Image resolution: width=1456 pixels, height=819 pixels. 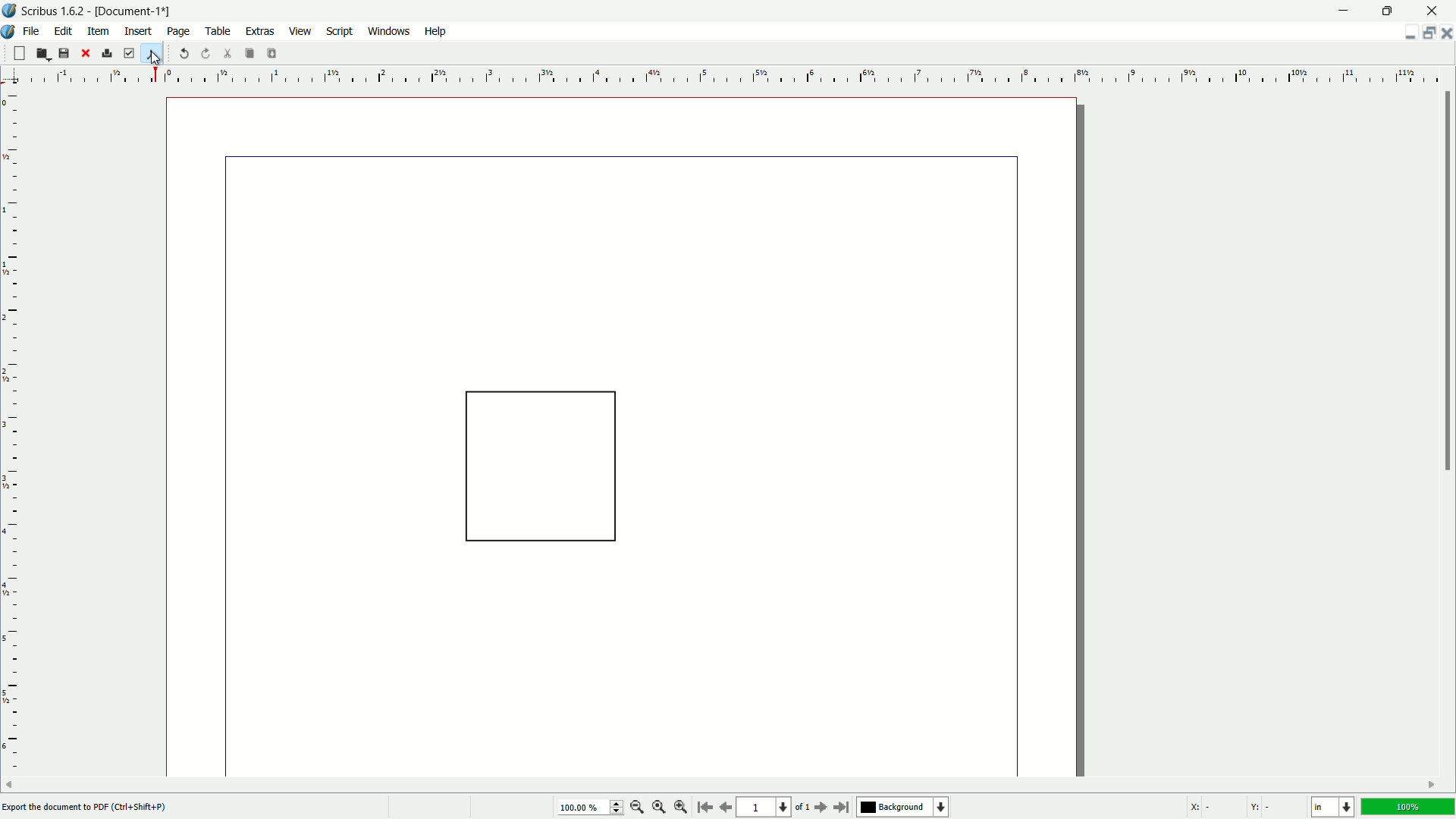 What do you see at coordinates (301, 32) in the screenshot?
I see `view menu` at bounding box center [301, 32].